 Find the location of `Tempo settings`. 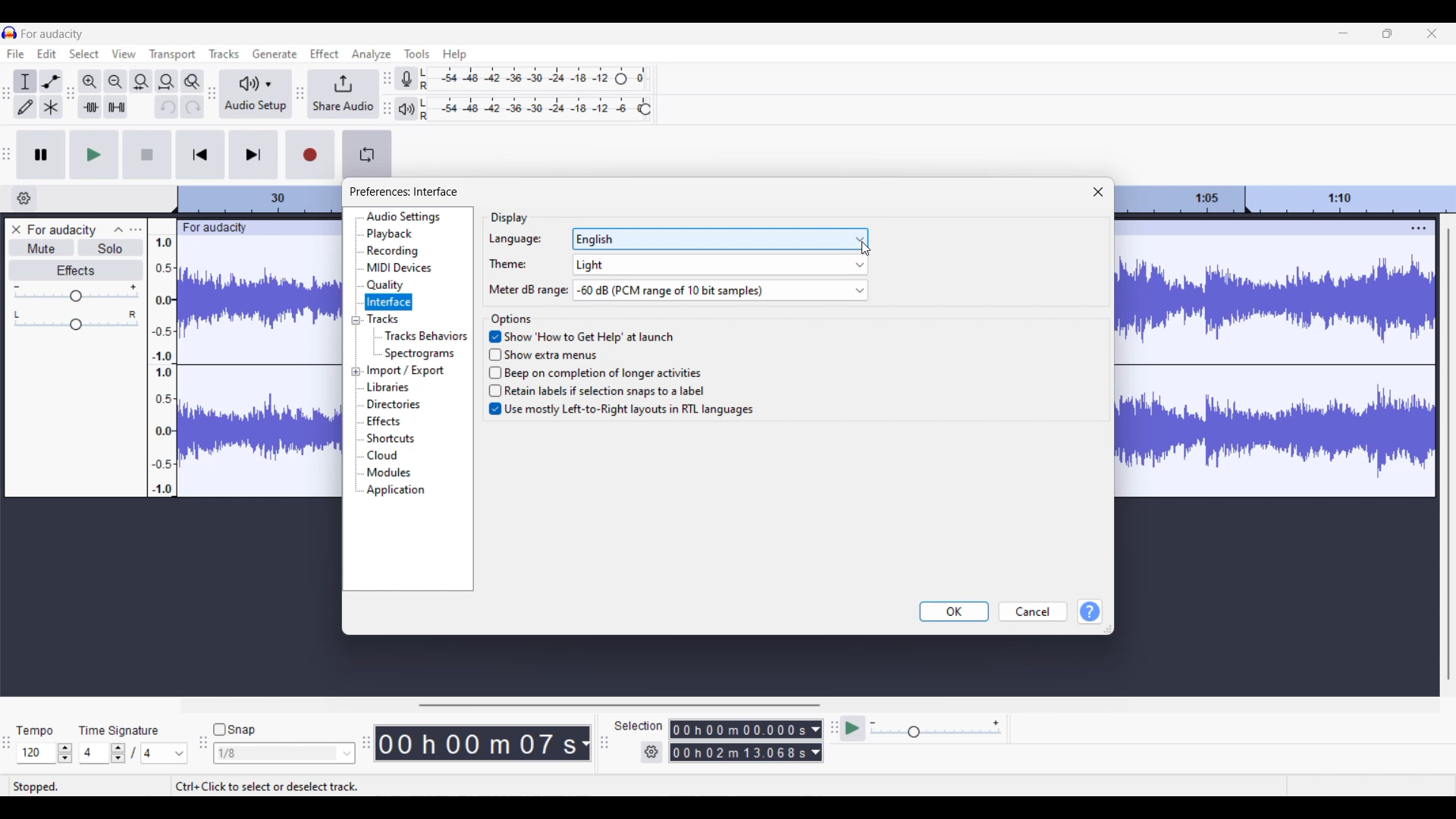

Tempo settings is located at coordinates (45, 753).